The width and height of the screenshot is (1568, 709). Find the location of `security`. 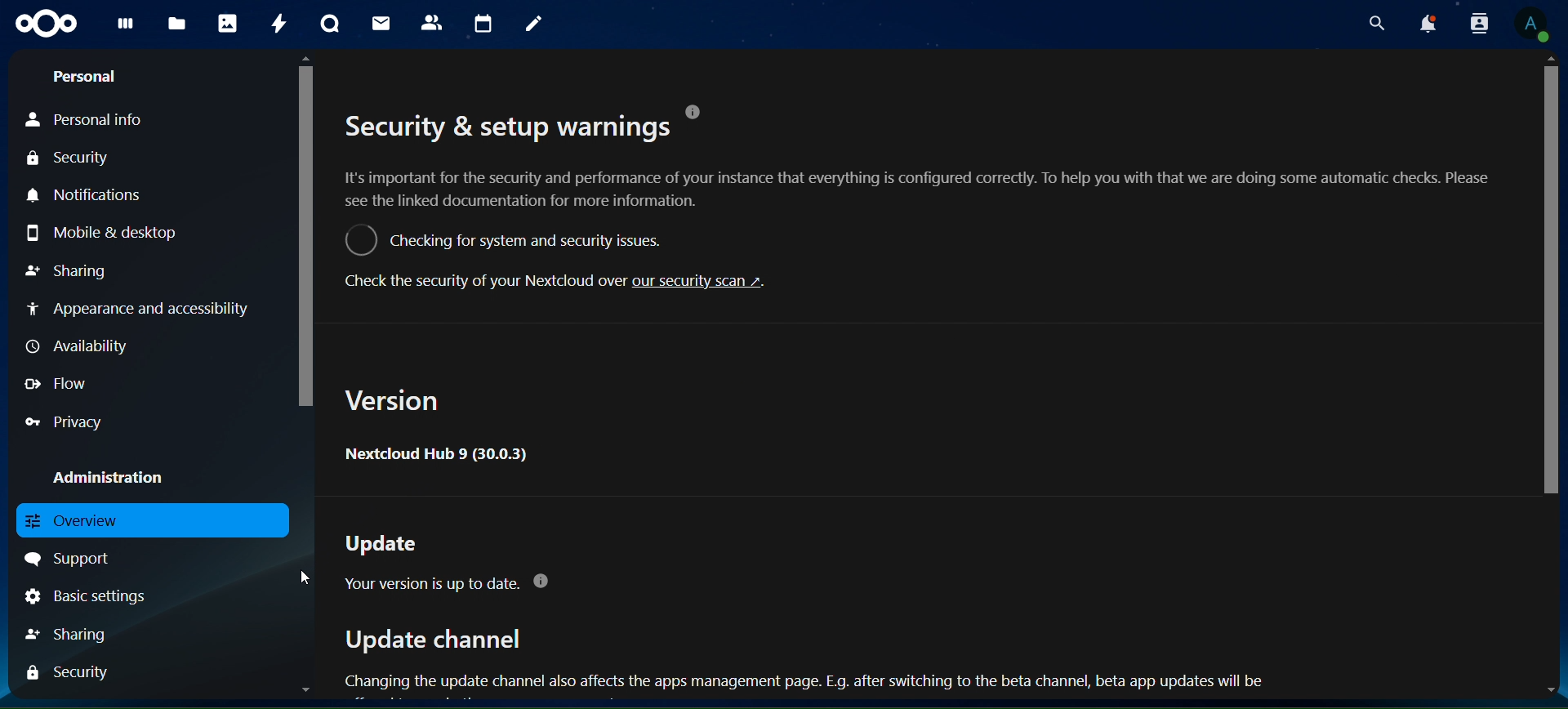

security is located at coordinates (68, 672).